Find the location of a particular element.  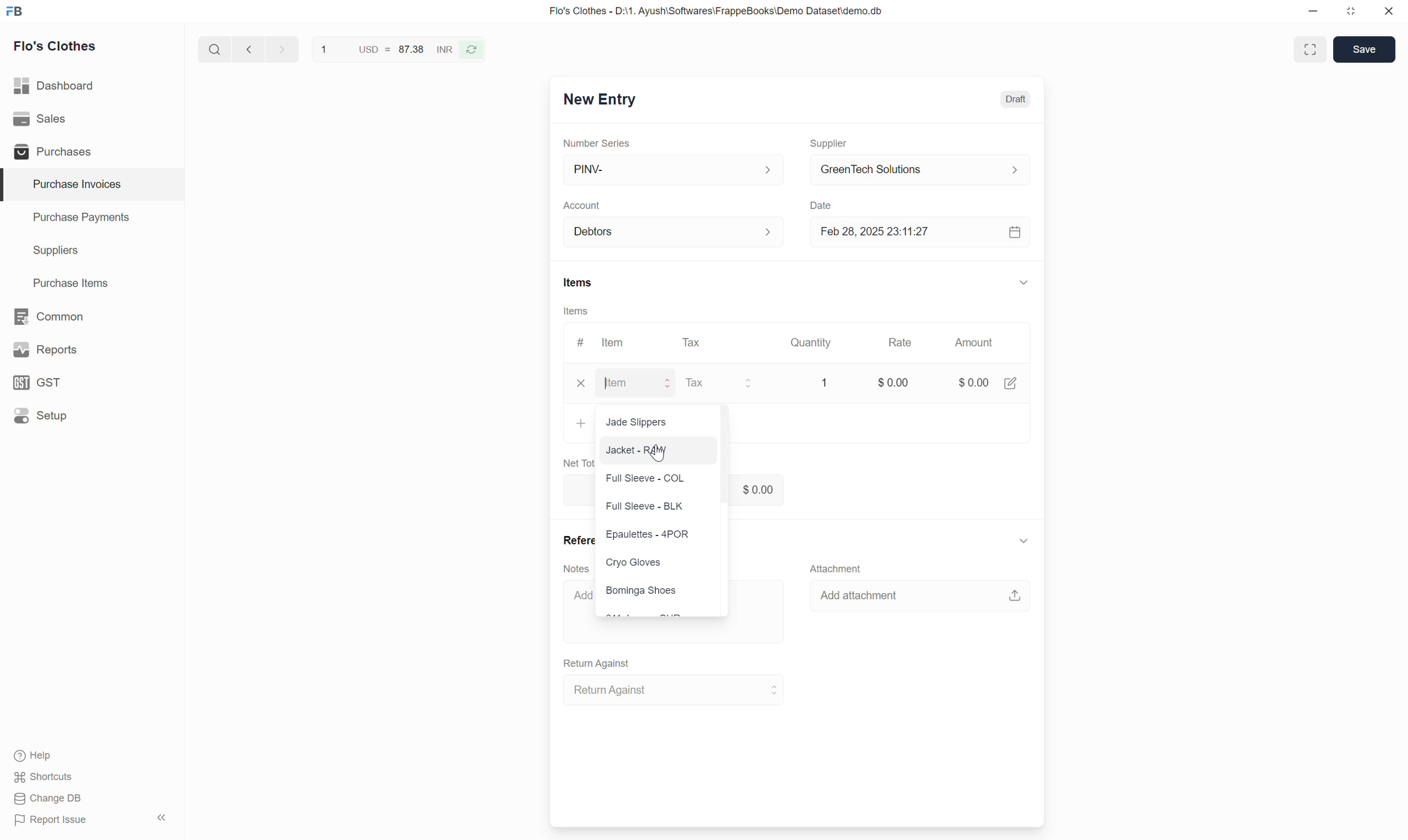

Collapse is located at coordinates (162, 817).